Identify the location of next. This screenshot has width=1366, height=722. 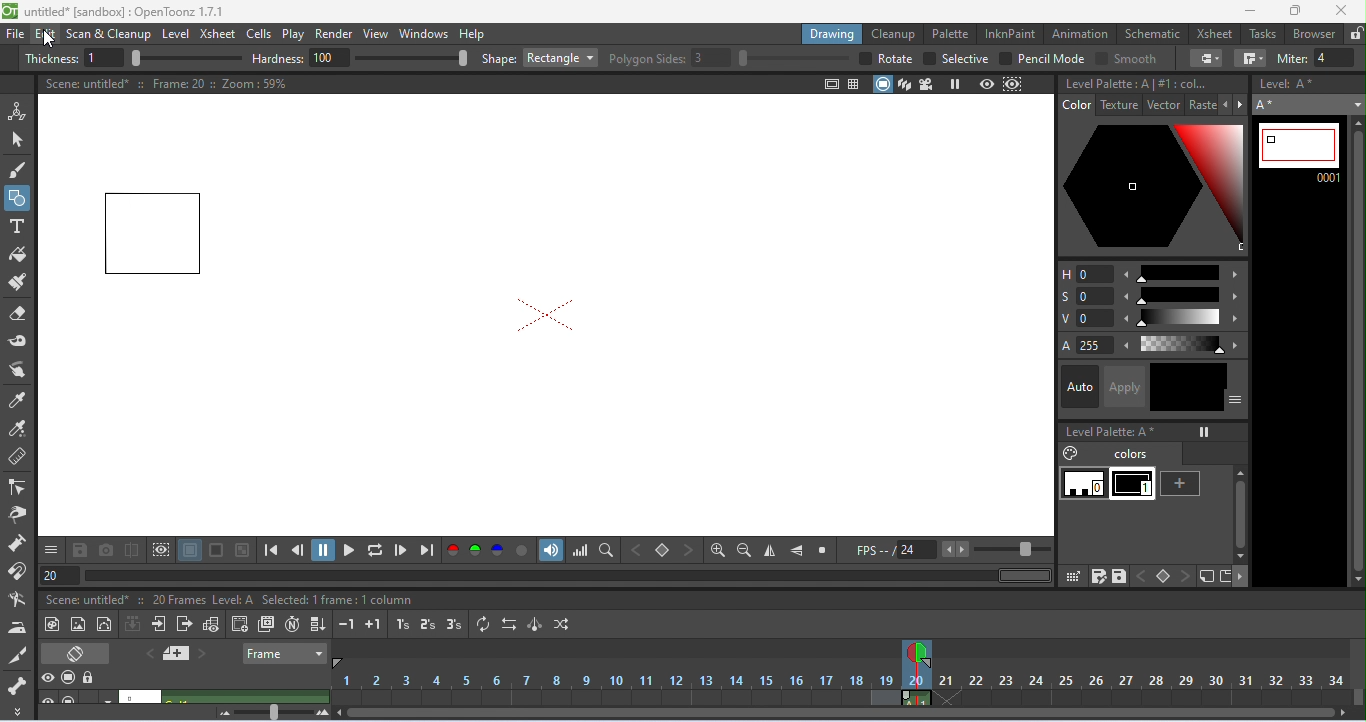
(1241, 105).